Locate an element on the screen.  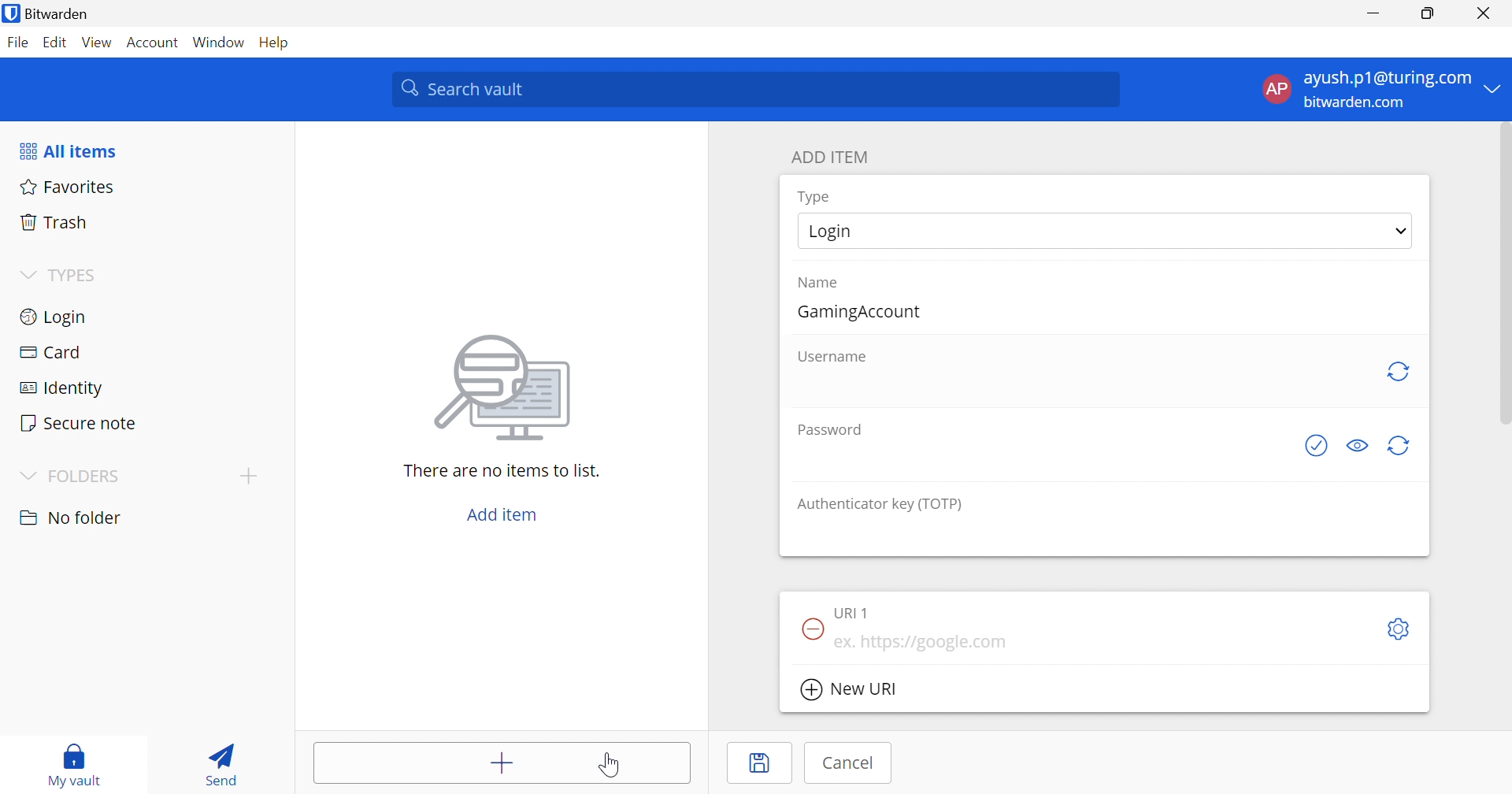
URI 1 is located at coordinates (858, 612).